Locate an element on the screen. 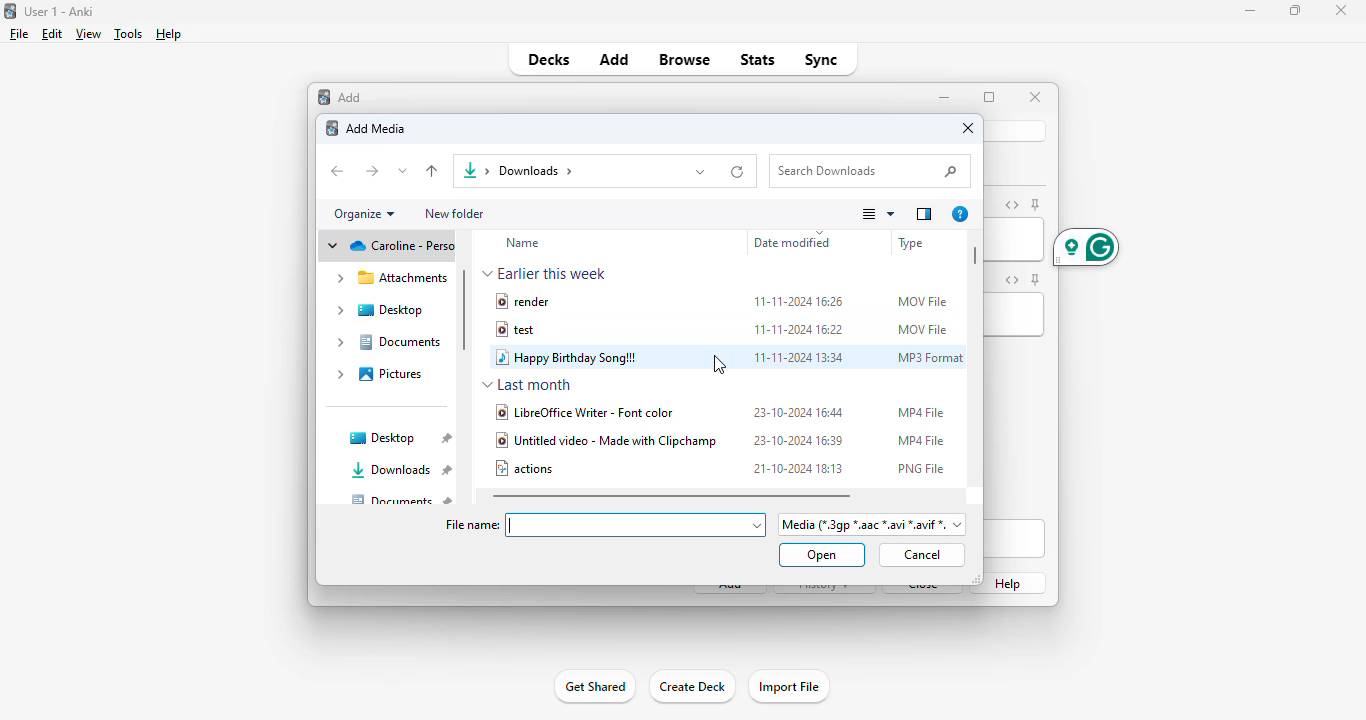 The width and height of the screenshot is (1366, 720). add media is located at coordinates (376, 129).